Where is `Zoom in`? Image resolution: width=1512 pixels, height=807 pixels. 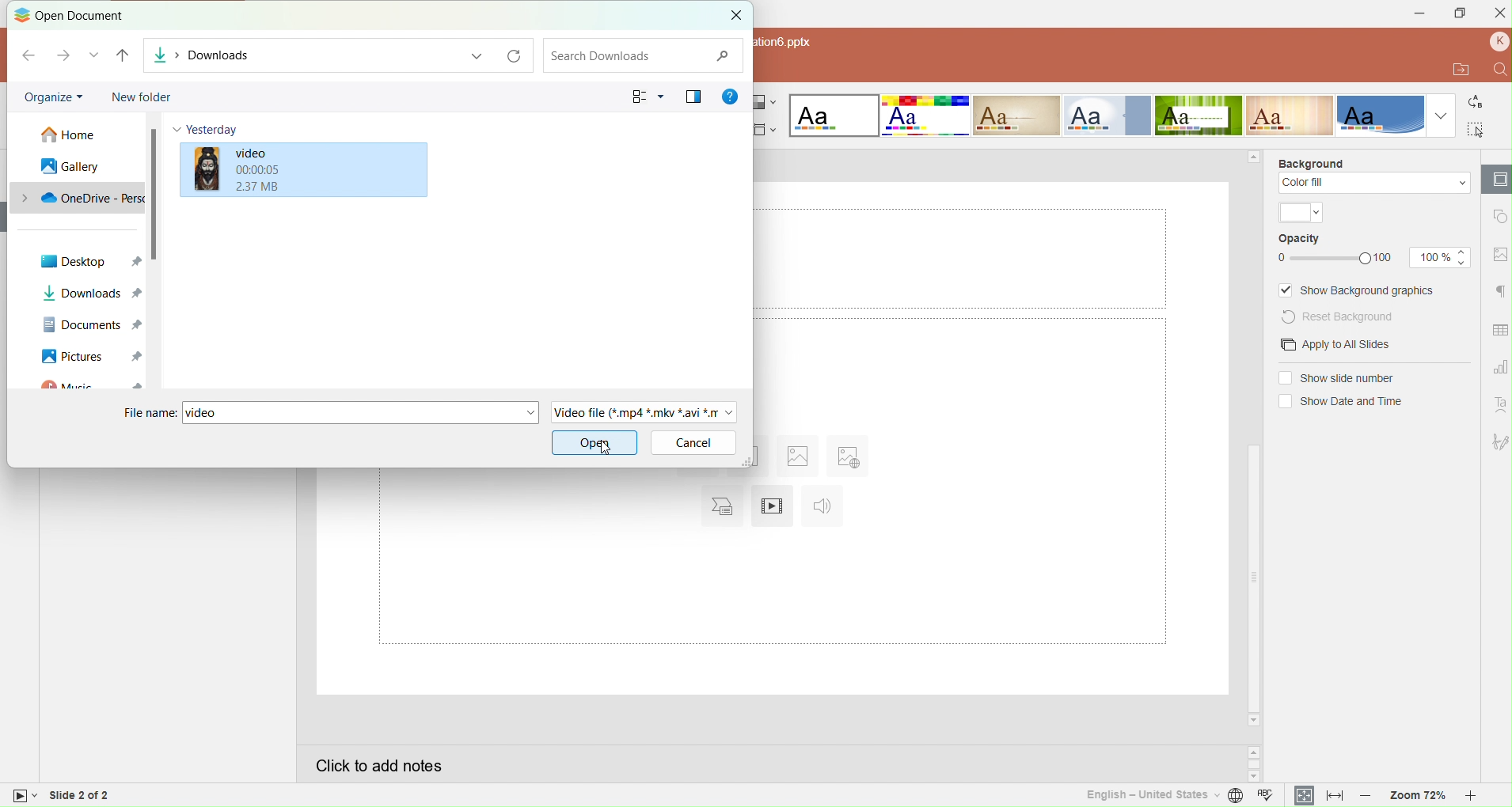
Zoom in is located at coordinates (1476, 796).